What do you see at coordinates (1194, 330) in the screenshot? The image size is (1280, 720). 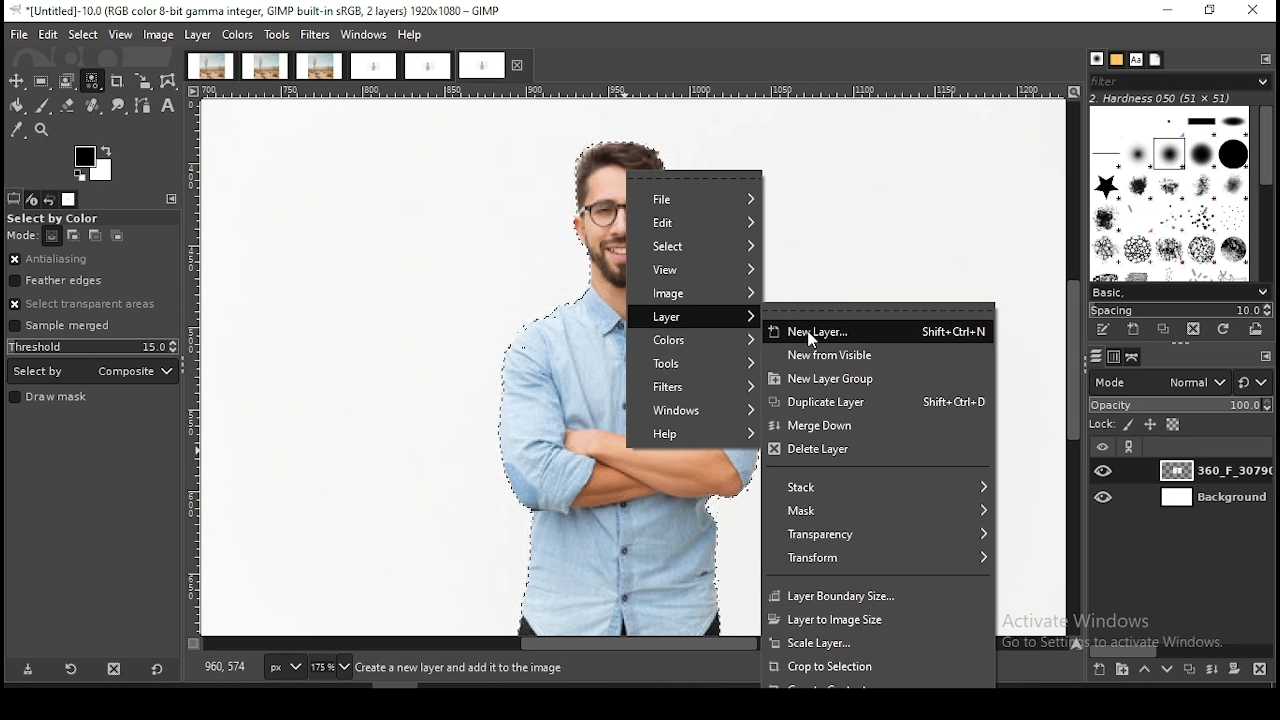 I see `delete brush` at bounding box center [1194, 330].